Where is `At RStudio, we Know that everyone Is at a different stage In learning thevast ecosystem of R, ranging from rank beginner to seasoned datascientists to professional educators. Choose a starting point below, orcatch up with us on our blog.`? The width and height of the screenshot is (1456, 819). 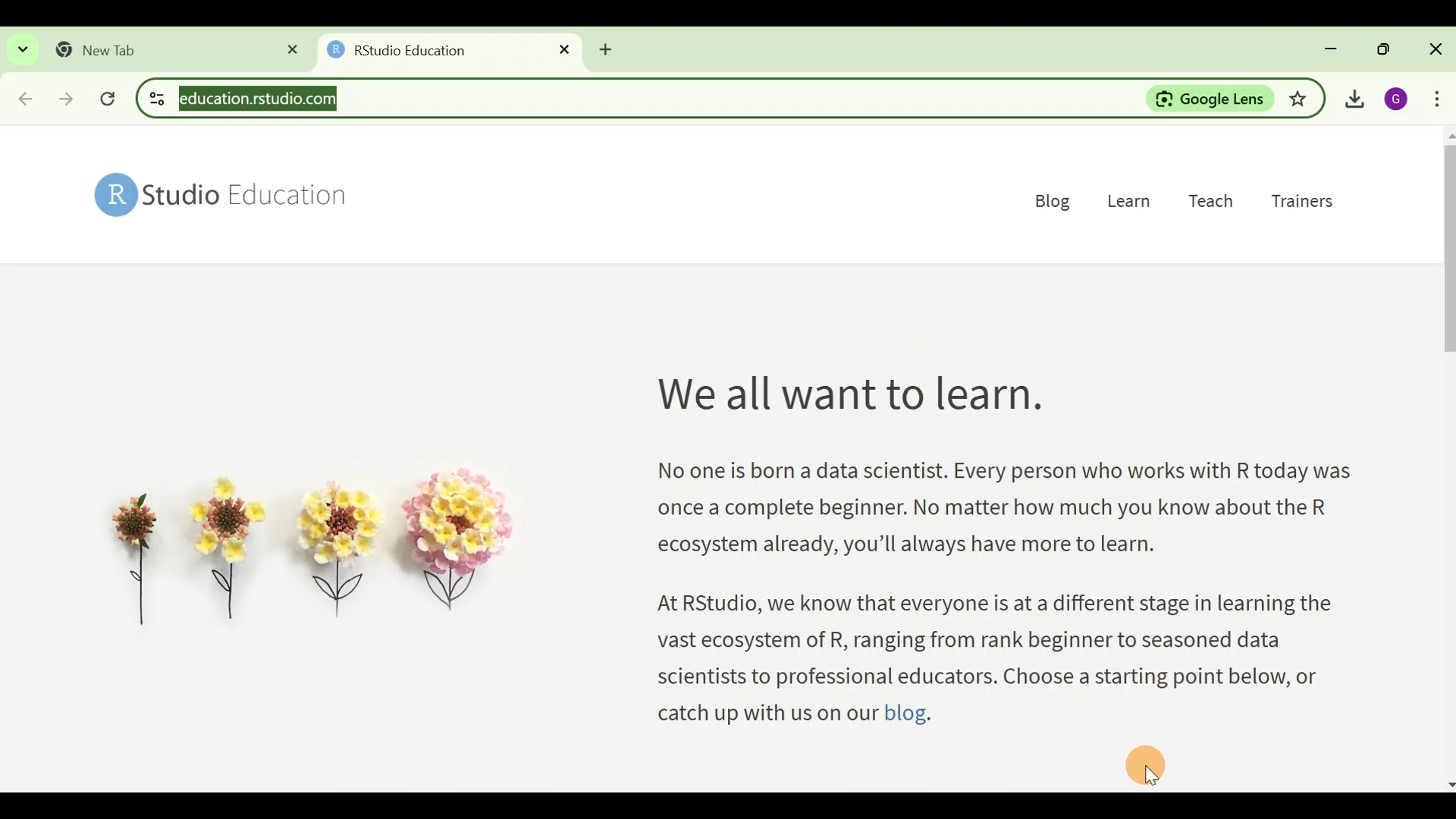 At RStudio, we Know that everyone Is at a different stage In learning thevast ecosystem of R, ranging from rank beginner to seasoned datascientists to professional educators. Choose a starting point below, orcatch up with us on our blog. is located at coordinates (997, 659).